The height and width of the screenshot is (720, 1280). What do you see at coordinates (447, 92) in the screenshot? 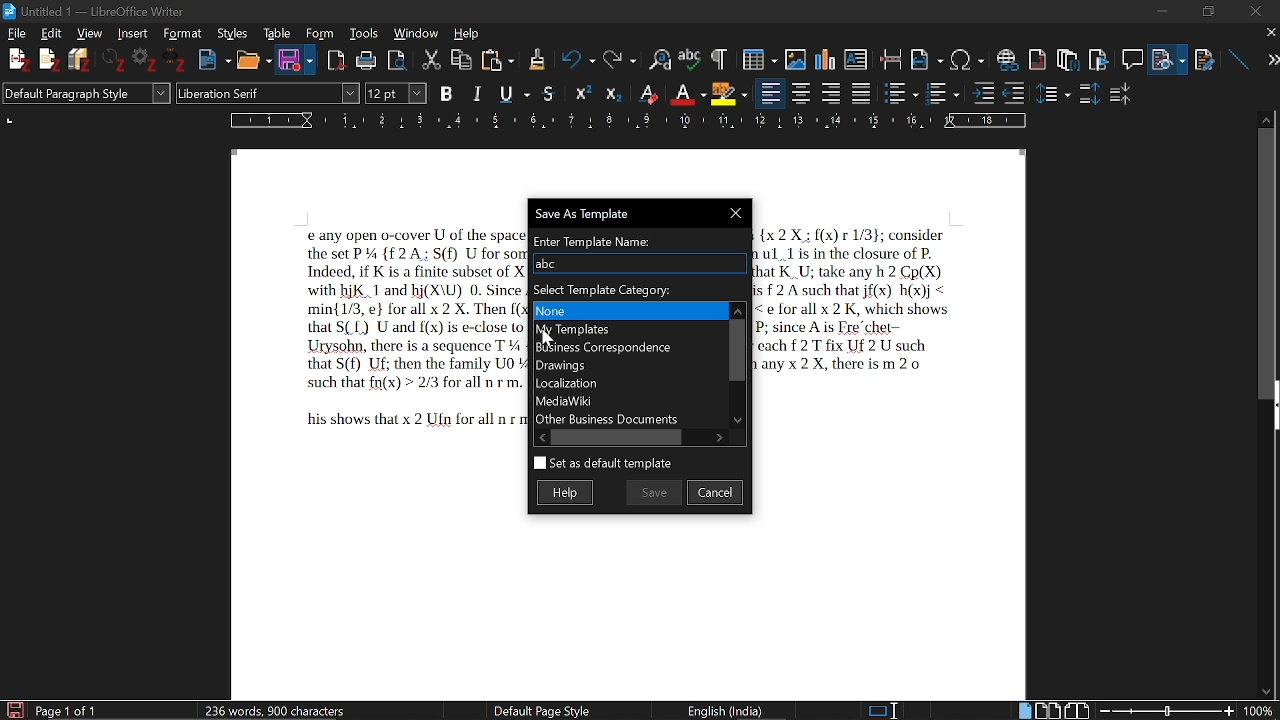
I see `B` at bounding box center [447, 92].